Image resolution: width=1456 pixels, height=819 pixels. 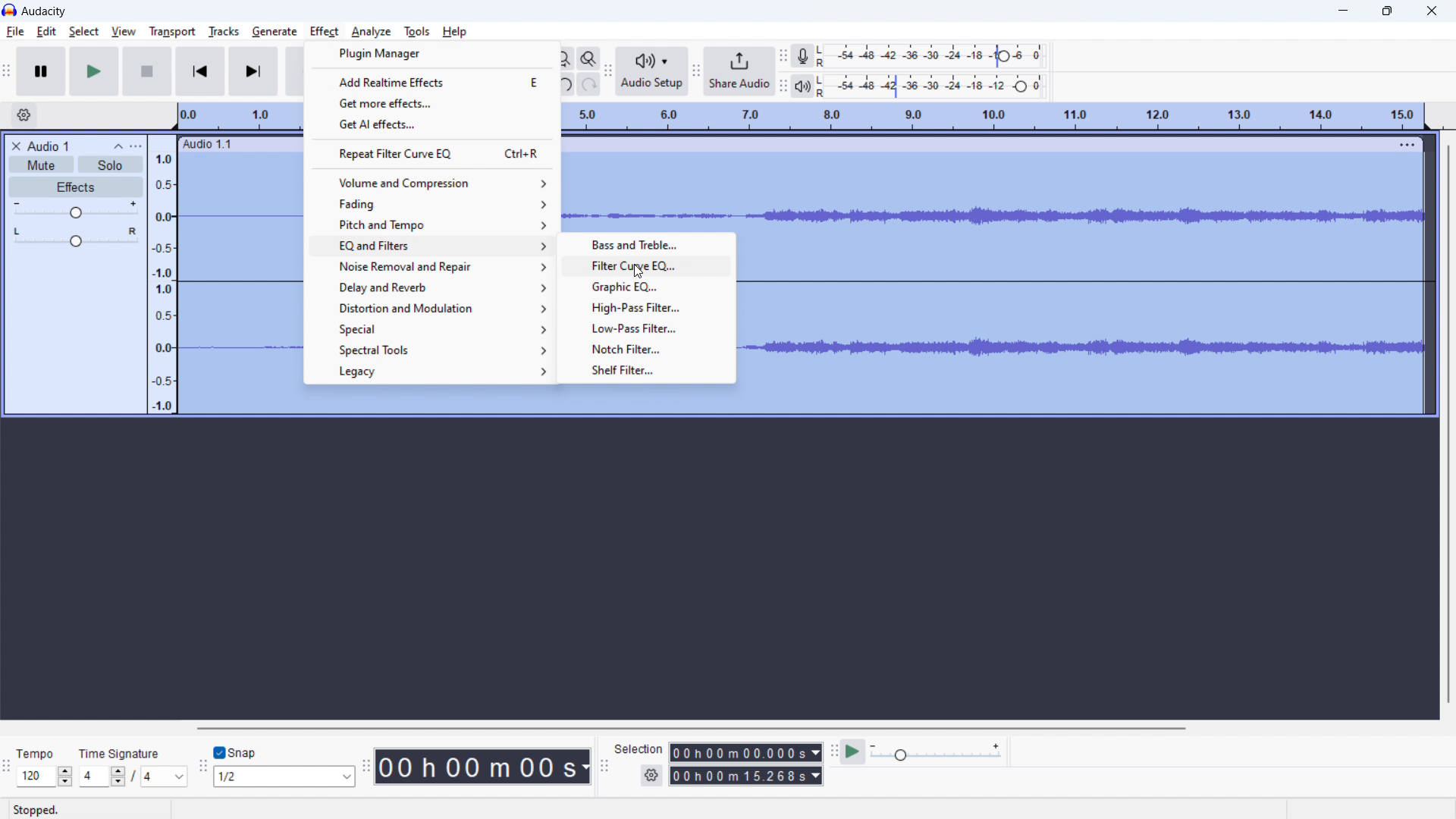 What do you see at coordinates (148, 71) in the screenshot?
I see `stop` at bounding box center [148, 71].